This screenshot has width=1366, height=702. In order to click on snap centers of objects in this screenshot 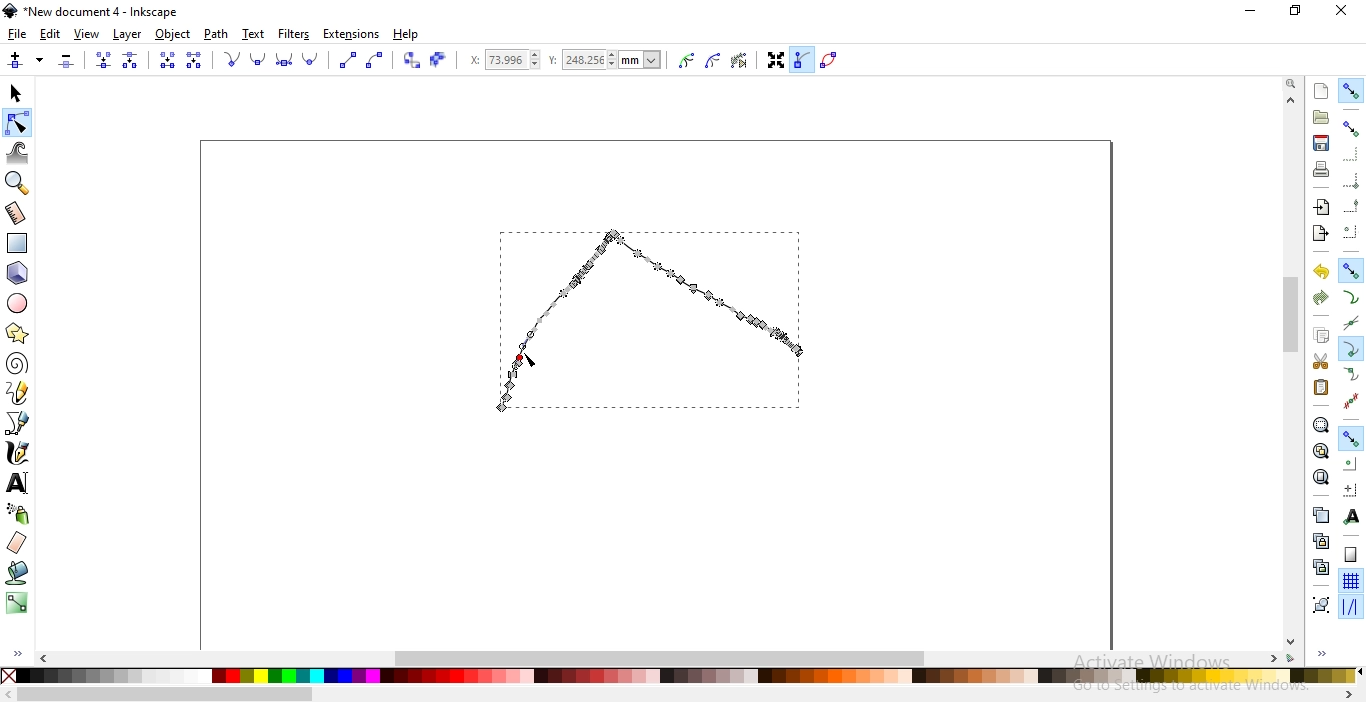, I will do `click(1349, 462)`.